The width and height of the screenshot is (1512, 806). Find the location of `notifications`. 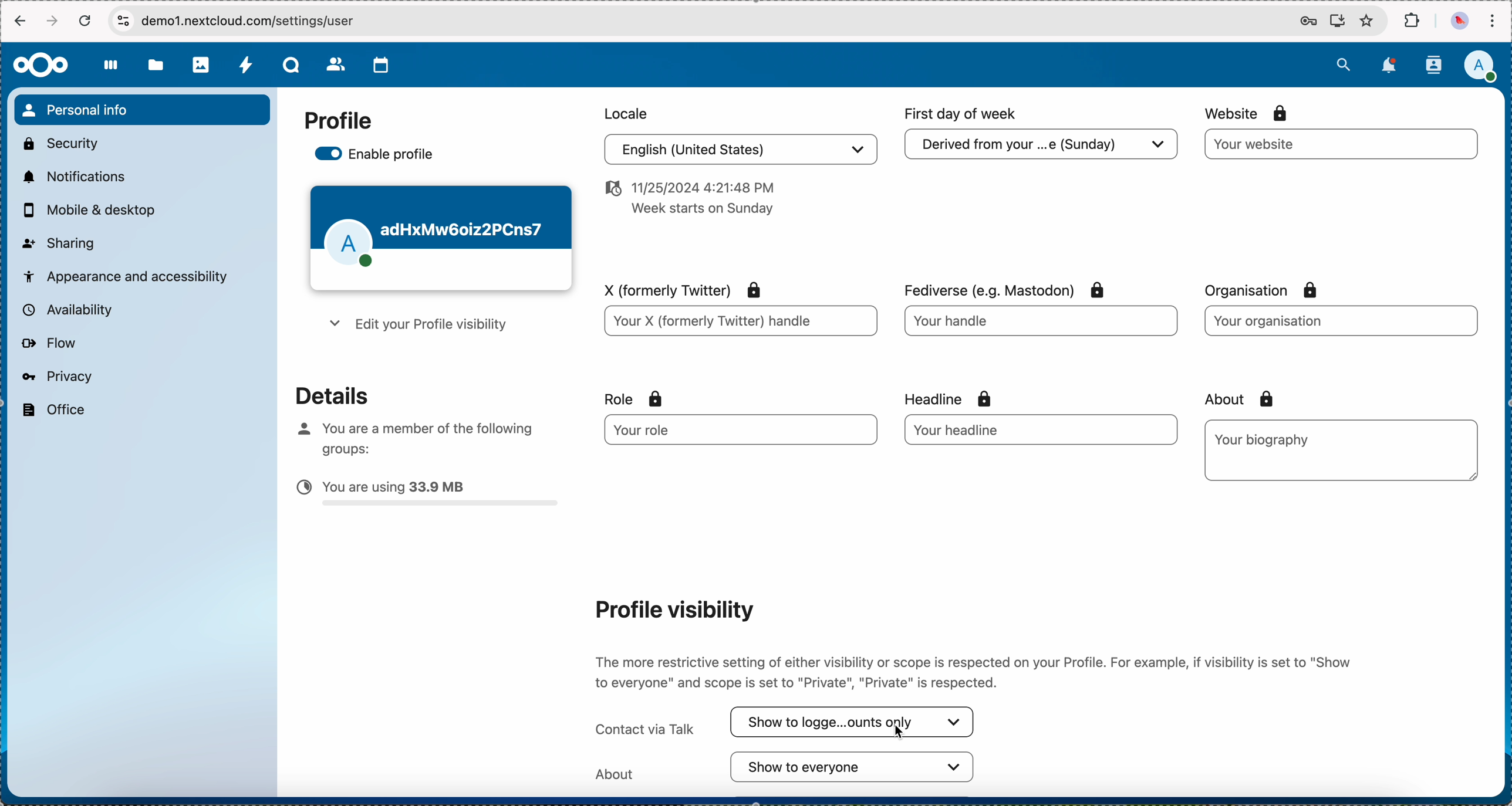

notifications is located at coordinates (72, 176).